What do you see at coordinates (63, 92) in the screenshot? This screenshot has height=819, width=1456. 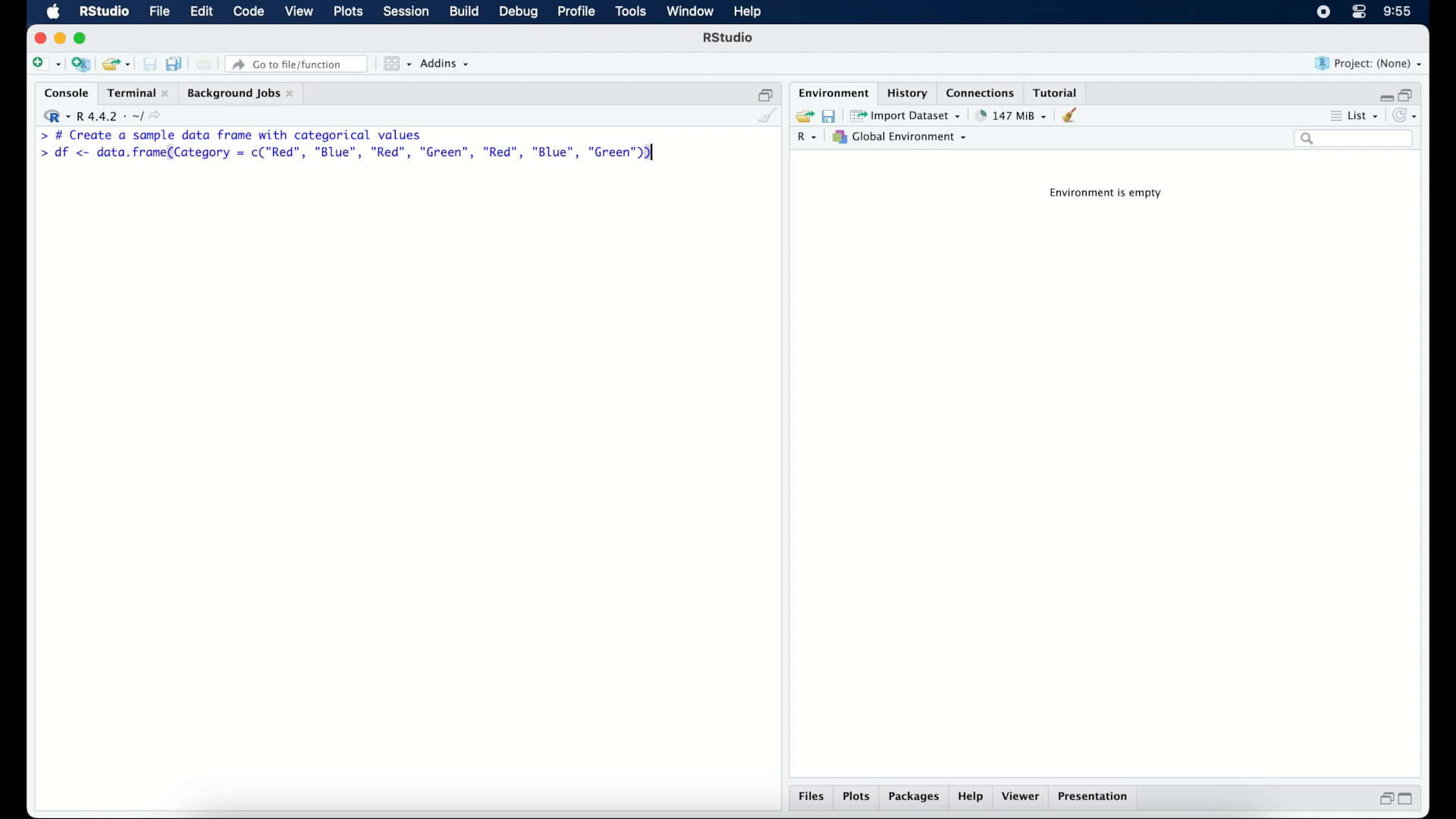 I see `console` at bounding box center [63, 92].